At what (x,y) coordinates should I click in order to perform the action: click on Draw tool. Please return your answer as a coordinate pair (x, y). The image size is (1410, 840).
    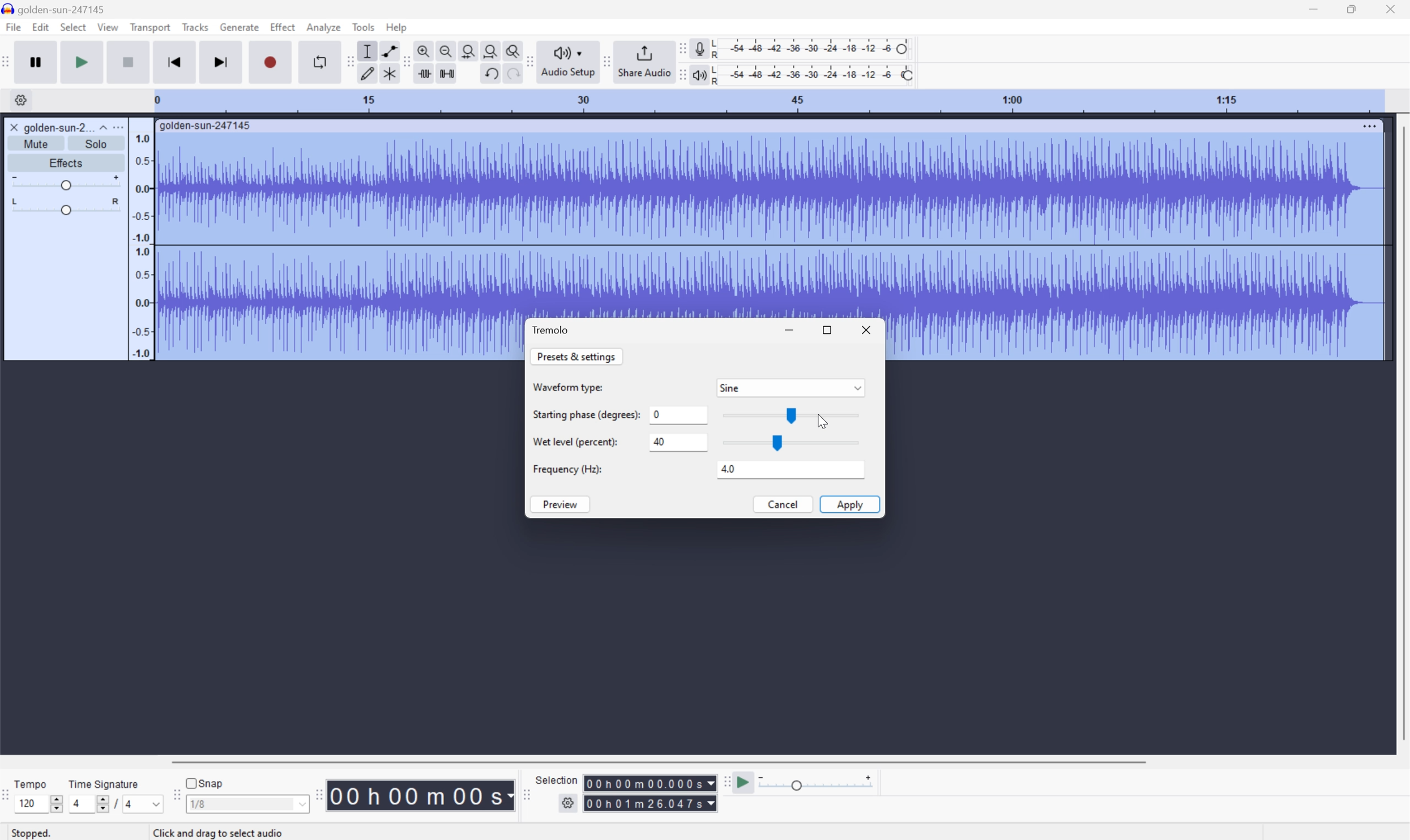
    Looking at the image, I should click on (368, 74).